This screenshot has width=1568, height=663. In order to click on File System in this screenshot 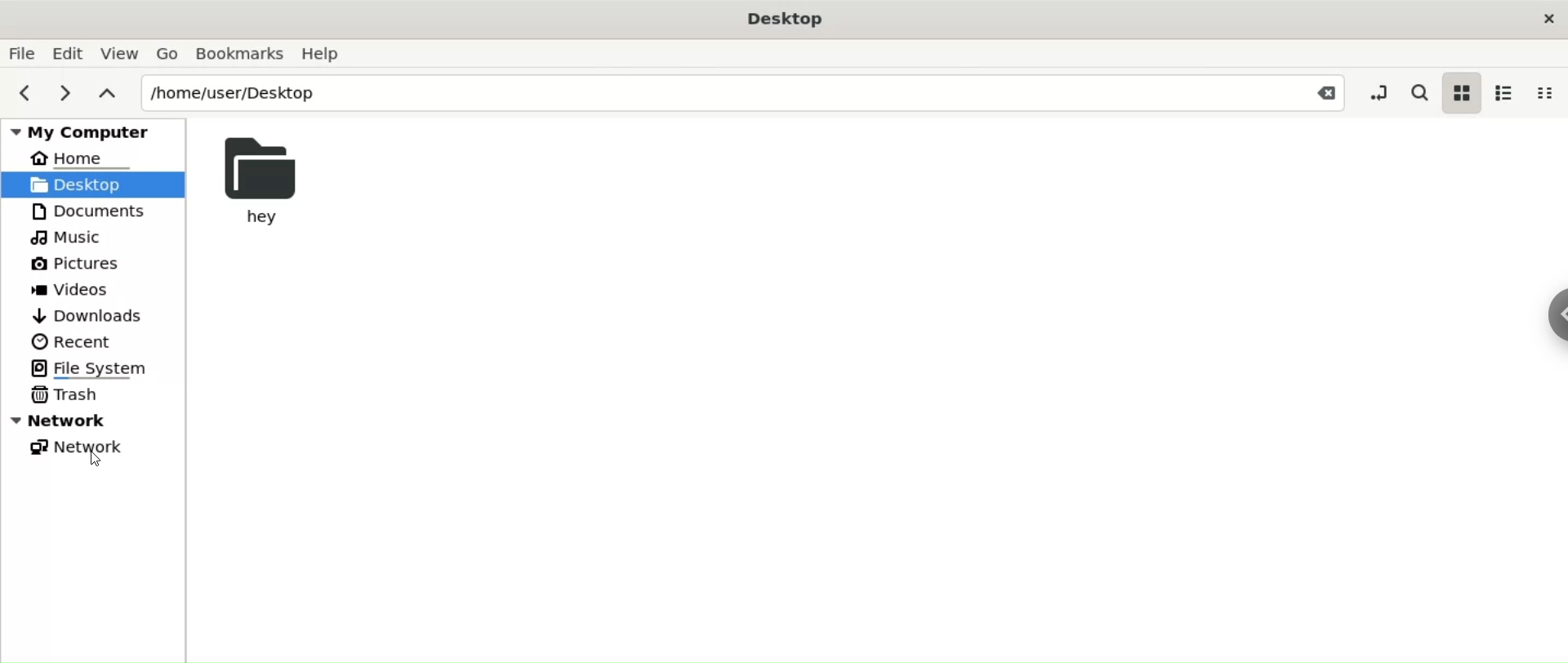, I will do `click(104, 368)`.